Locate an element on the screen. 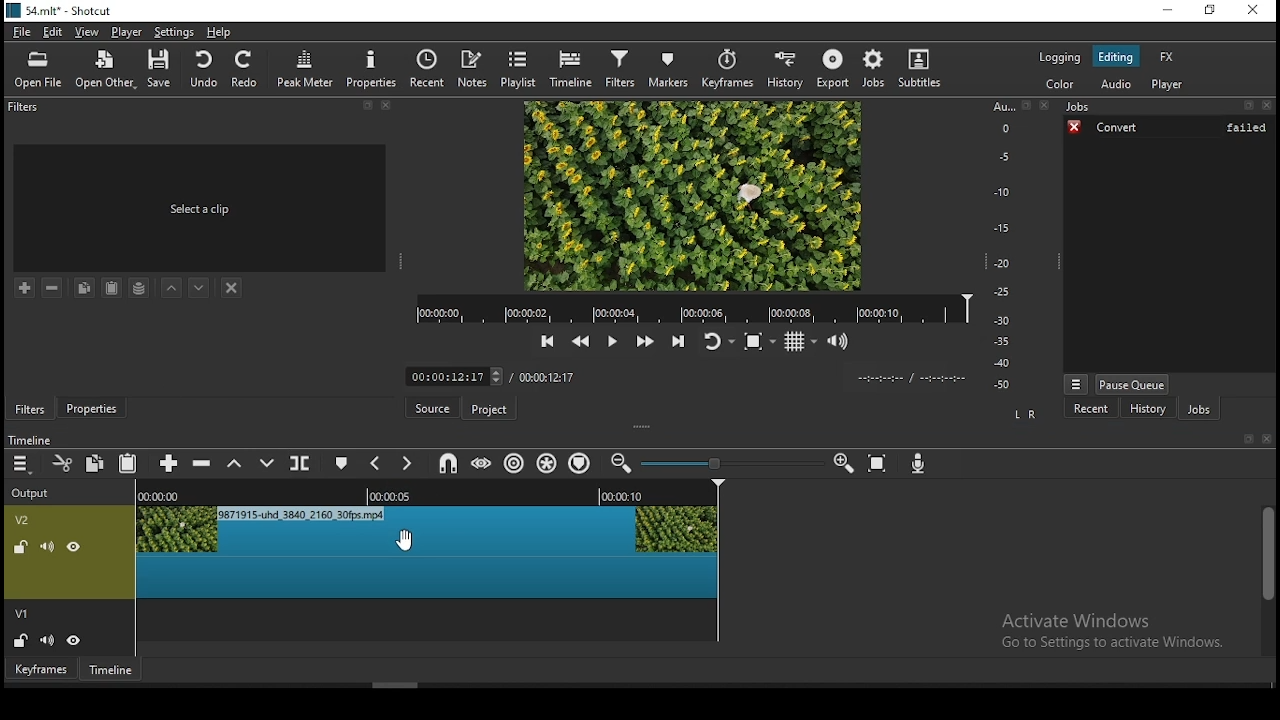  (un)locked is located at coordinates (23, 639).